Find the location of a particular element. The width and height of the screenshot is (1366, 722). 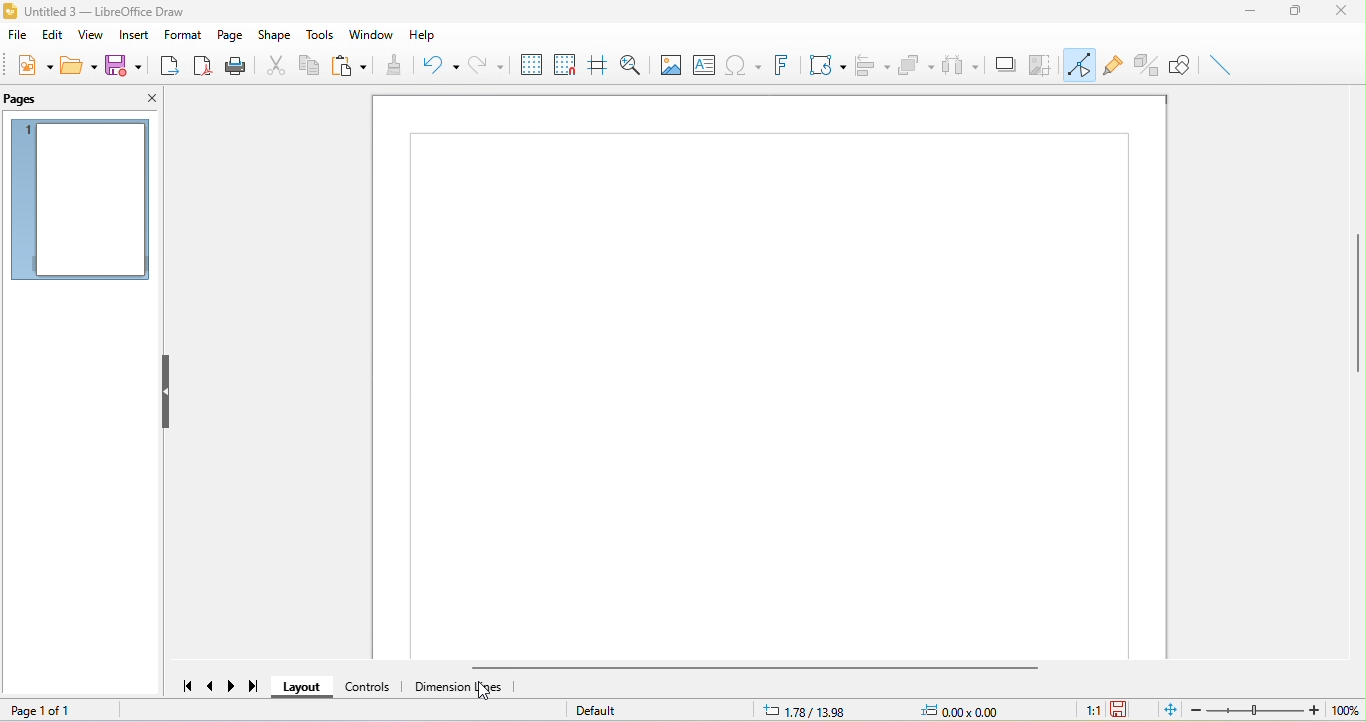

shape is located at coordinates (274, 35).